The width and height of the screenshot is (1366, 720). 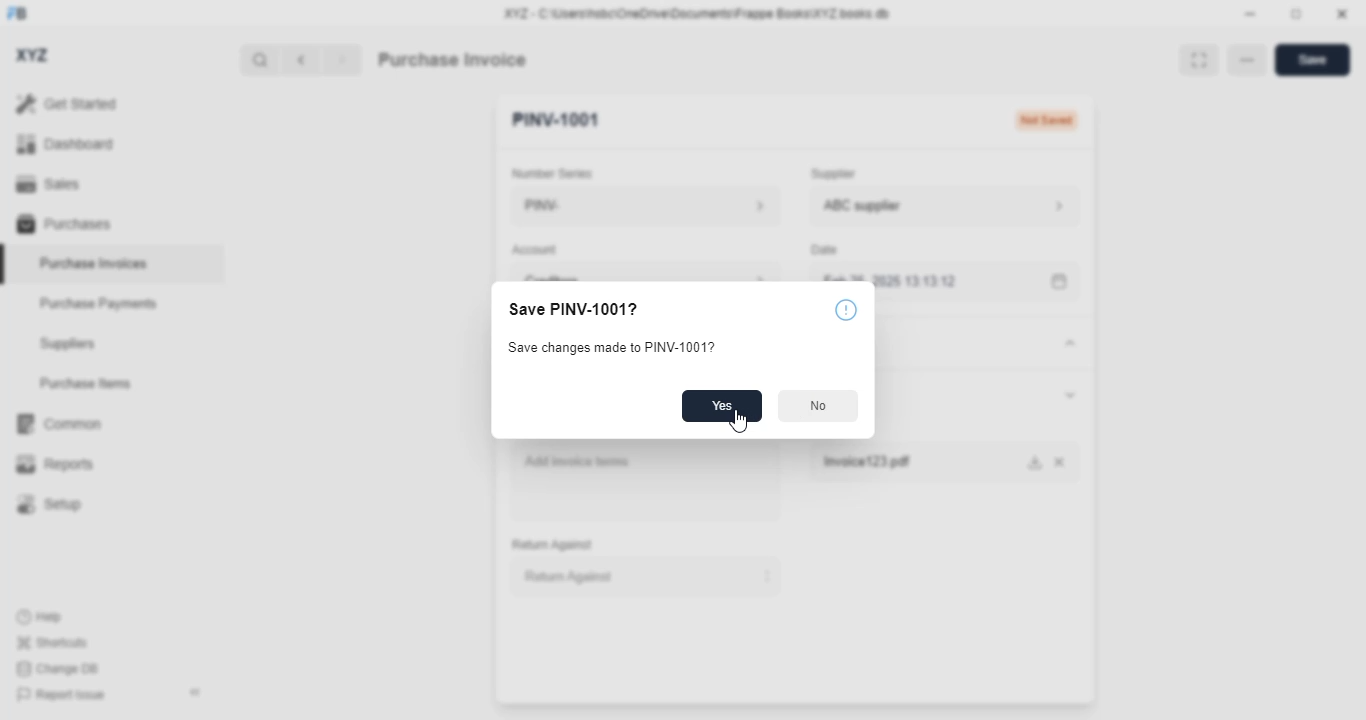 What do you see at coordinates (617, 205) in the screenshot?
I see `PINV-` at bounding box center [617, 205].